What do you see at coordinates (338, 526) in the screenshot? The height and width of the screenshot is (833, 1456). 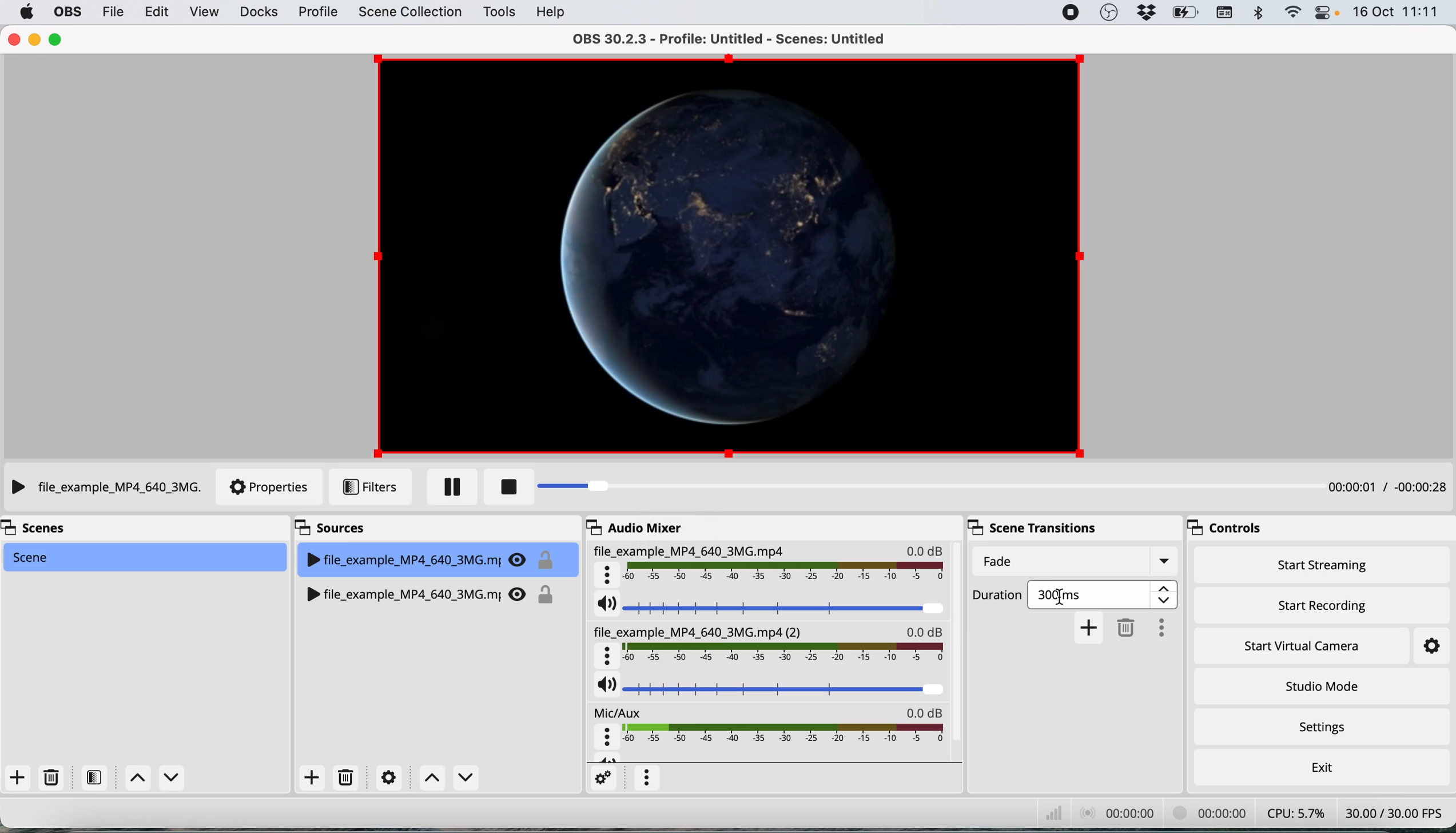 I see `sources` at bounding box center [338, 526].